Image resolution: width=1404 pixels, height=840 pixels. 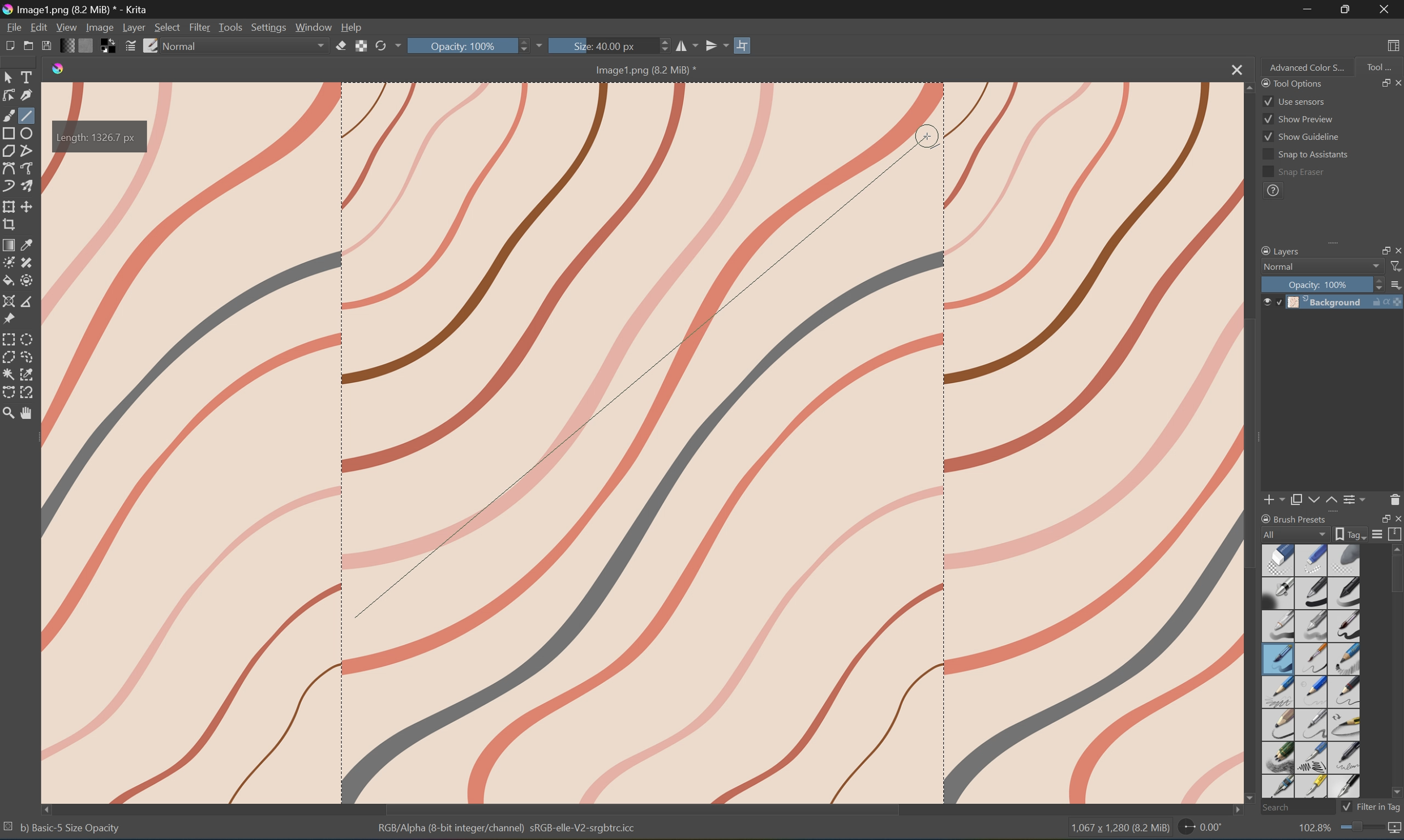 I want to click on Wrap Around, so click(x=745, y=44).